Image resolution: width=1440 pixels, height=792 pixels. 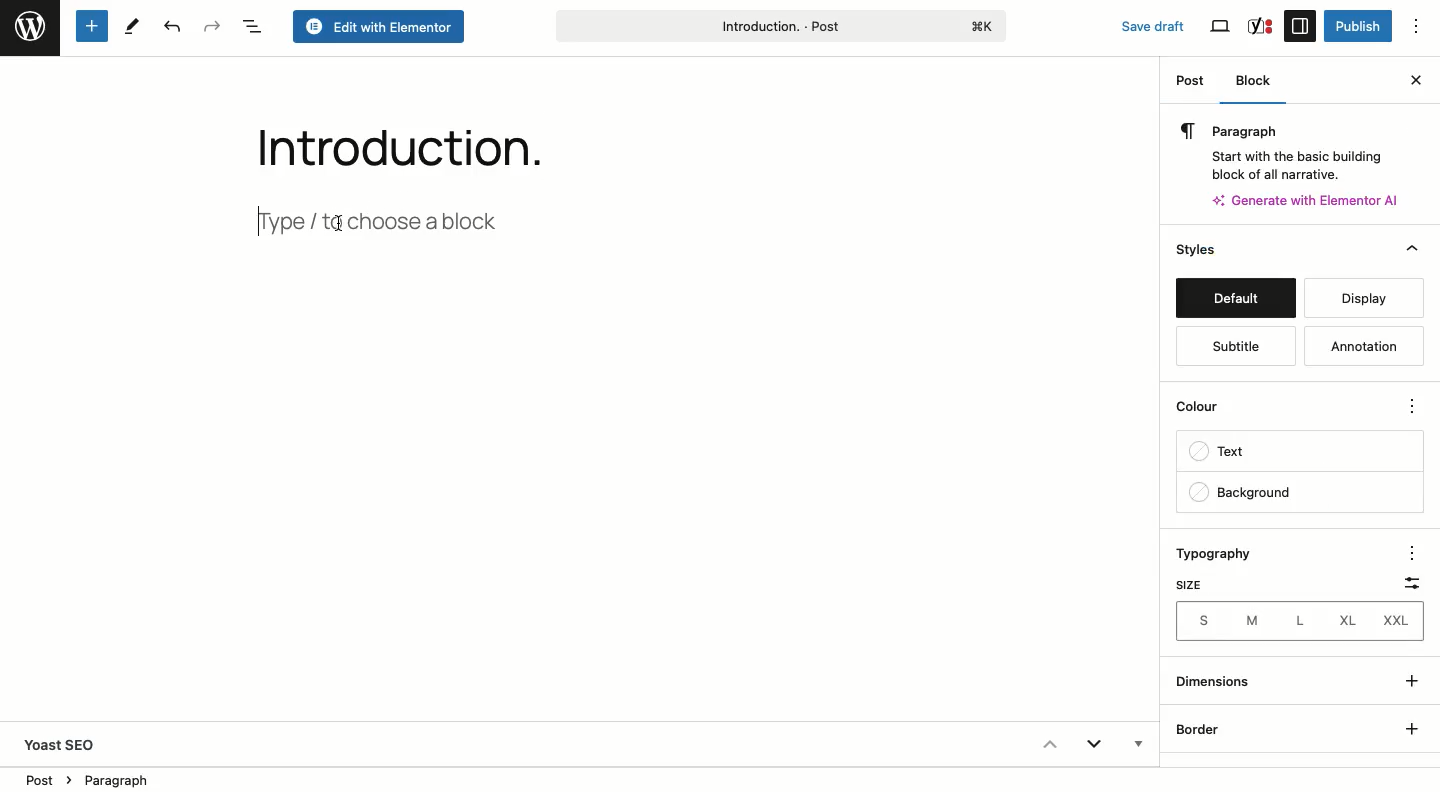 I want to click on Options, so click(x=1408, y=551).